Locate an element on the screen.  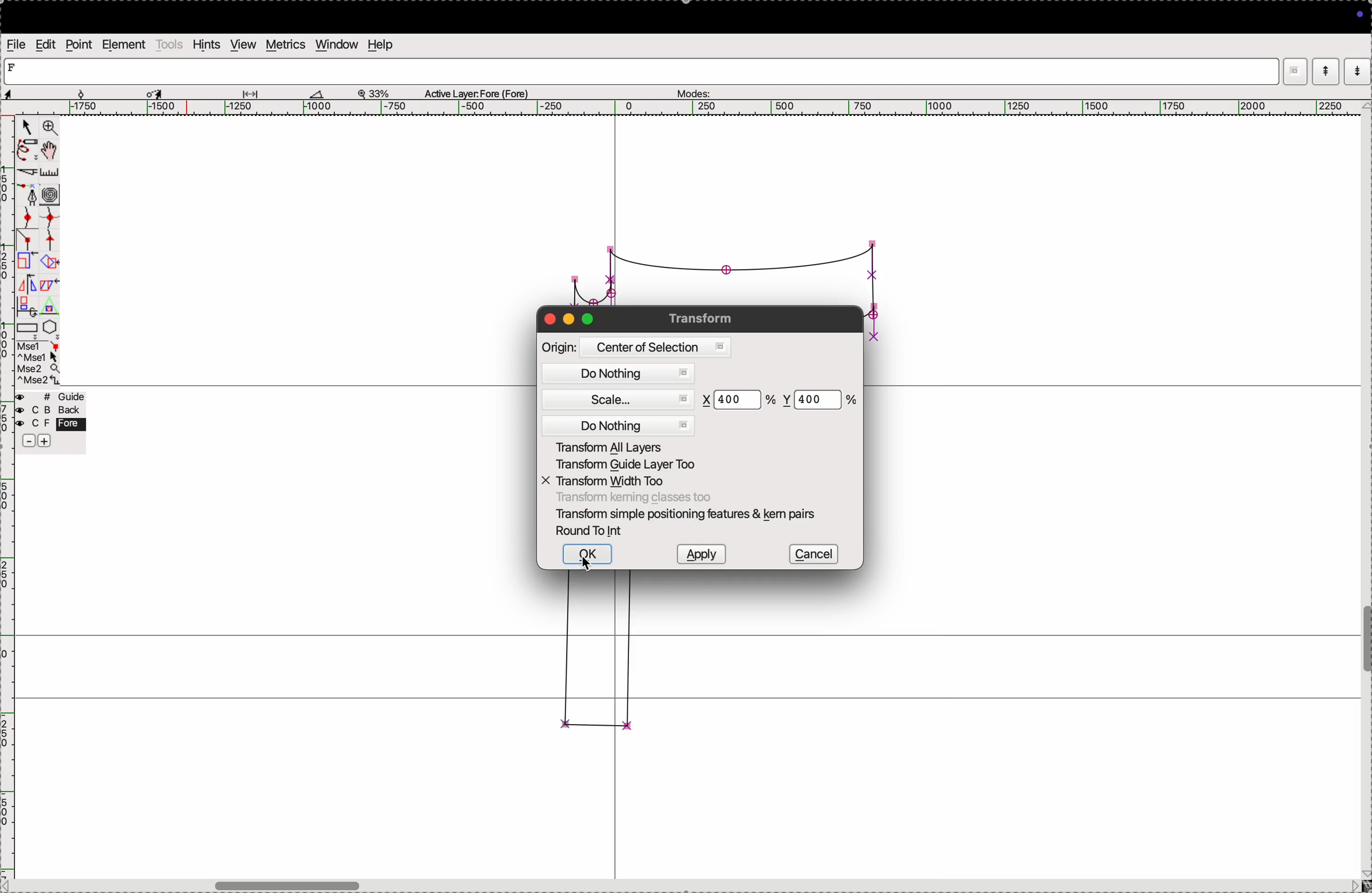
apply is located at coordinates (700, 554).